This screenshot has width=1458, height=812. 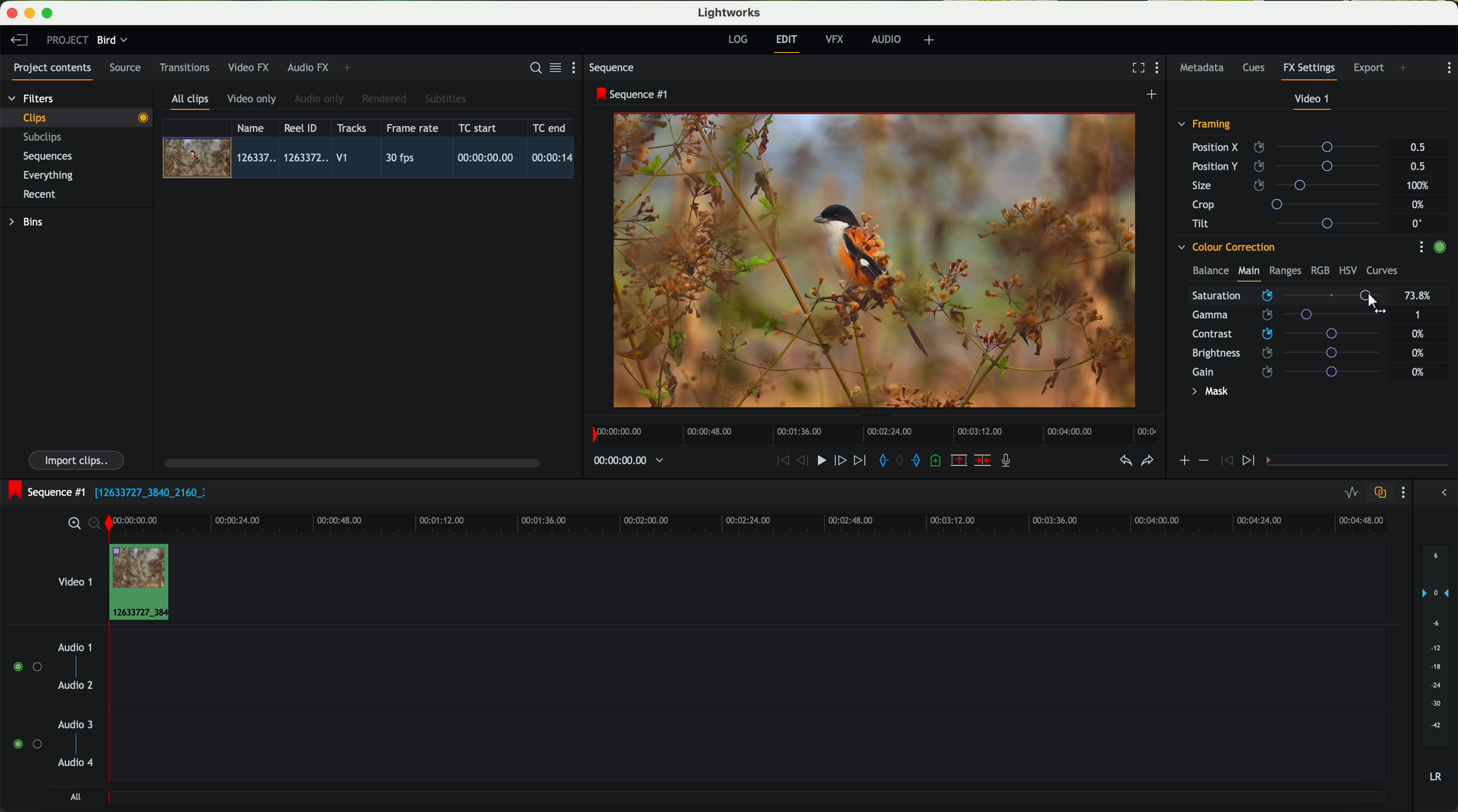 I want to click on show settings menu, so click(x=1421, y=247).